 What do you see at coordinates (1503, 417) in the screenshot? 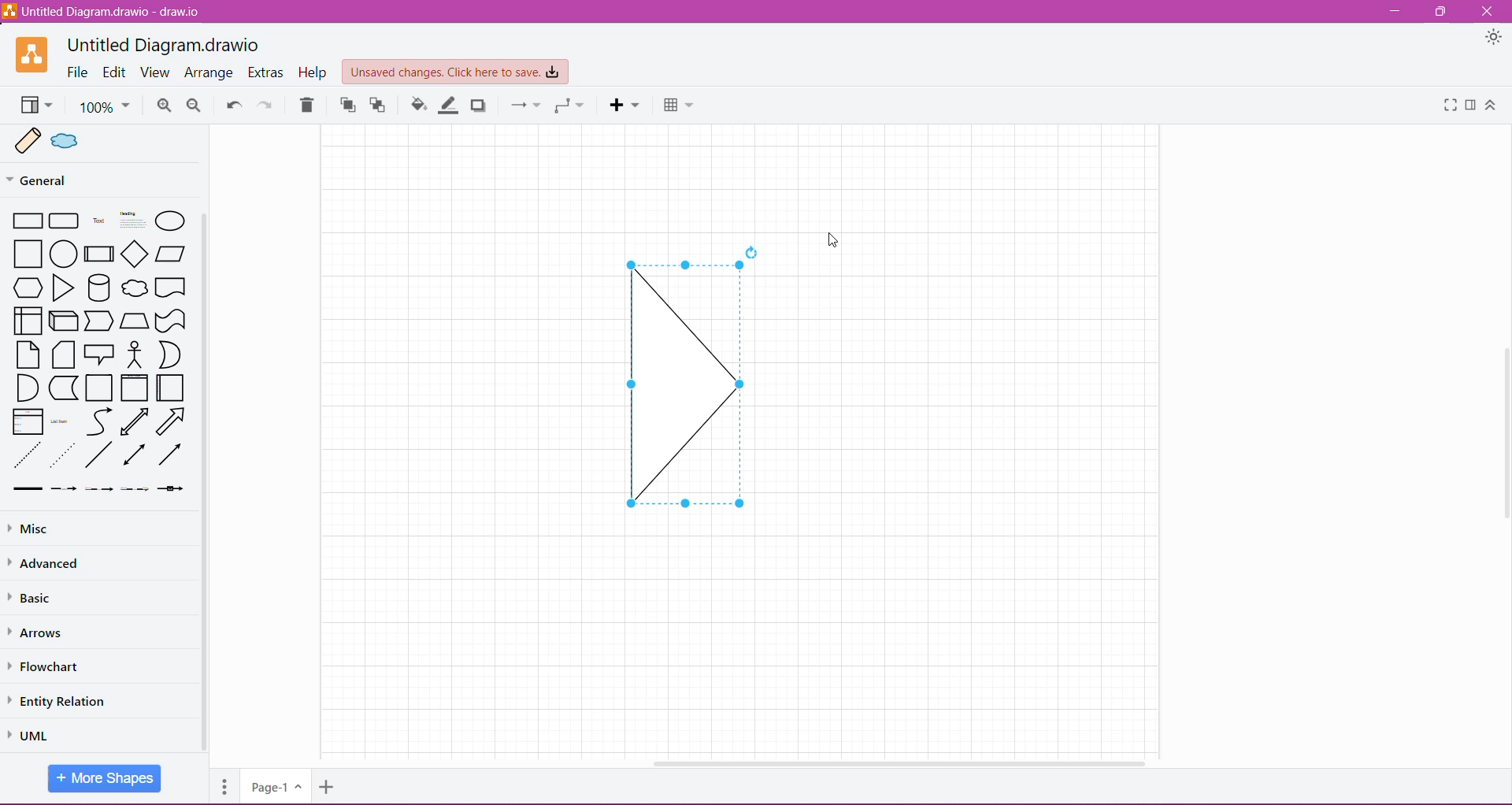
I see `Vertical Scroll Bar` at bounding box center [1503, 417].